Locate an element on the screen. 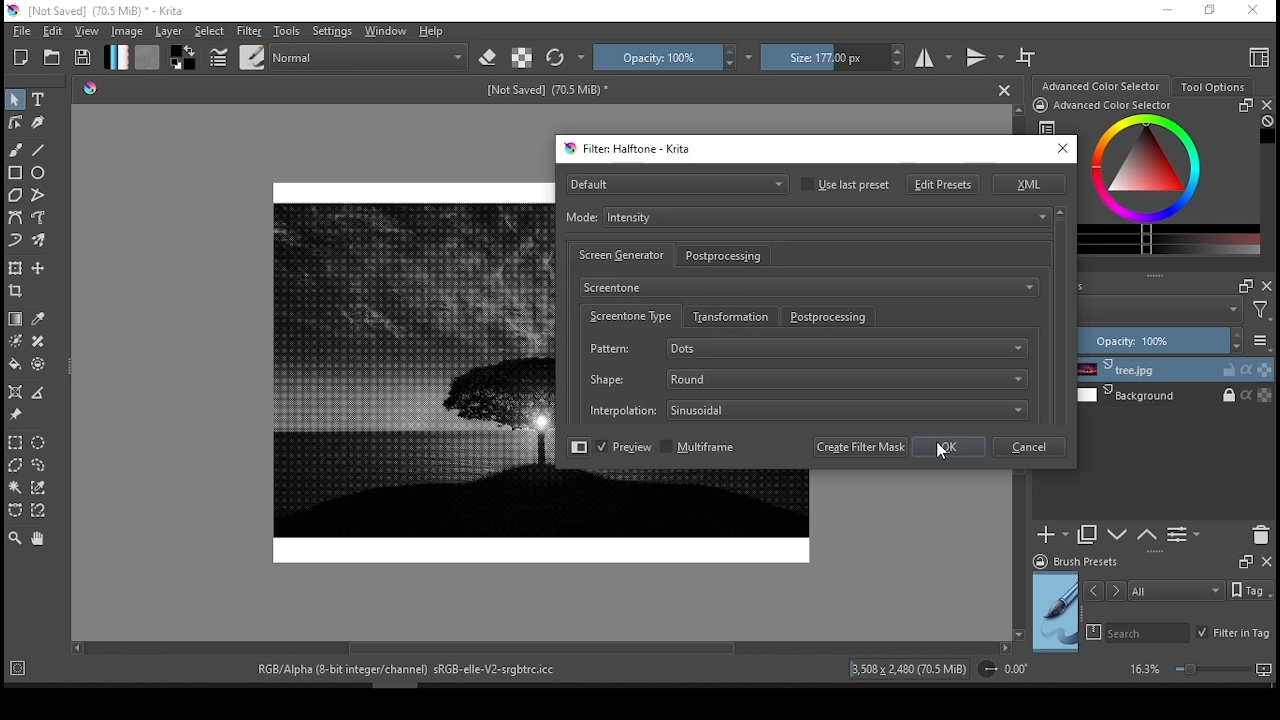 The height and width of the screenshot is (720, 1280). zoom tool is located at coordinates (15, 539).